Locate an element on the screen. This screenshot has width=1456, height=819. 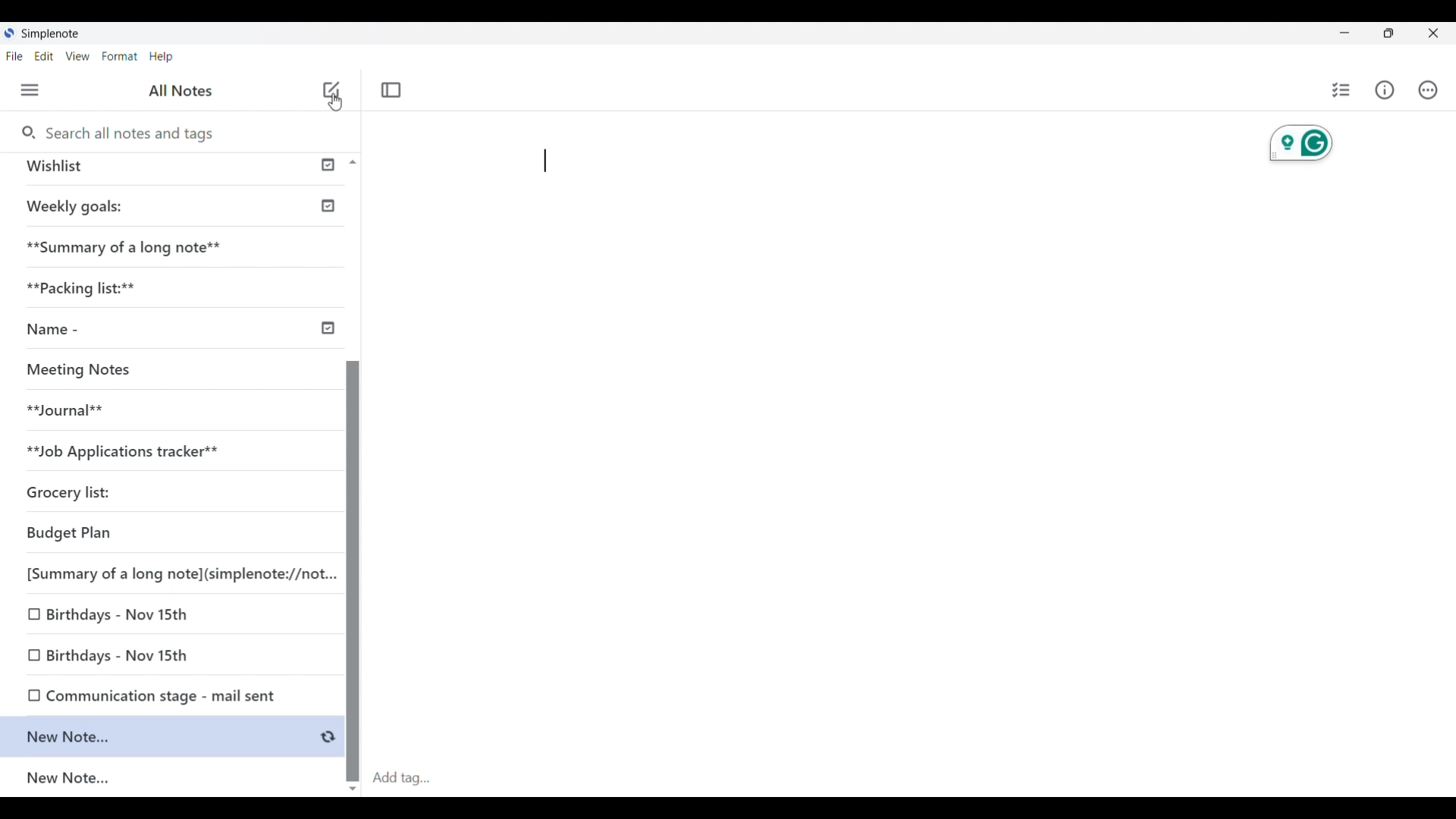
Edit menu is located at coordinates (44, 56).